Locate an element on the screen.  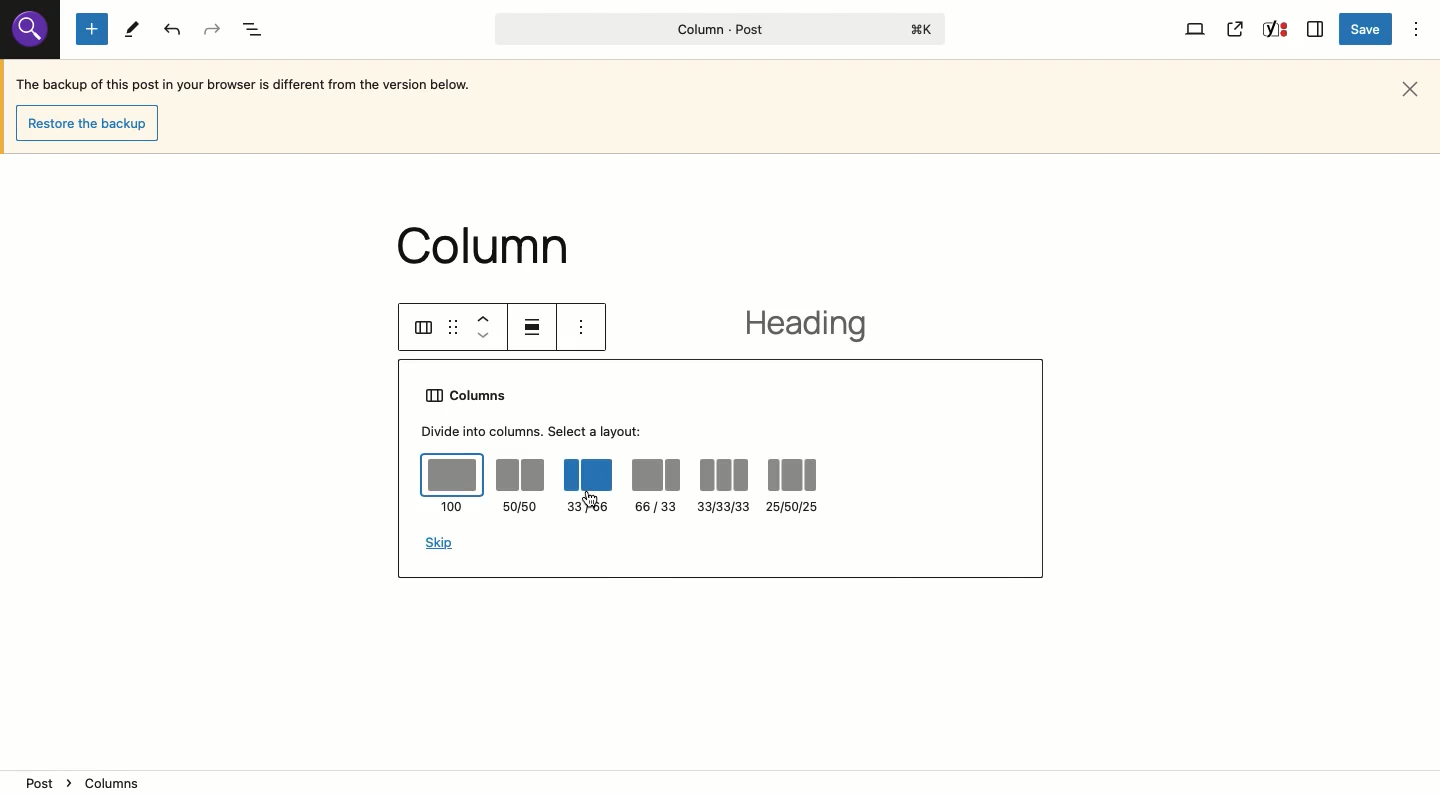
Undo is located at coordinates (174, 30).